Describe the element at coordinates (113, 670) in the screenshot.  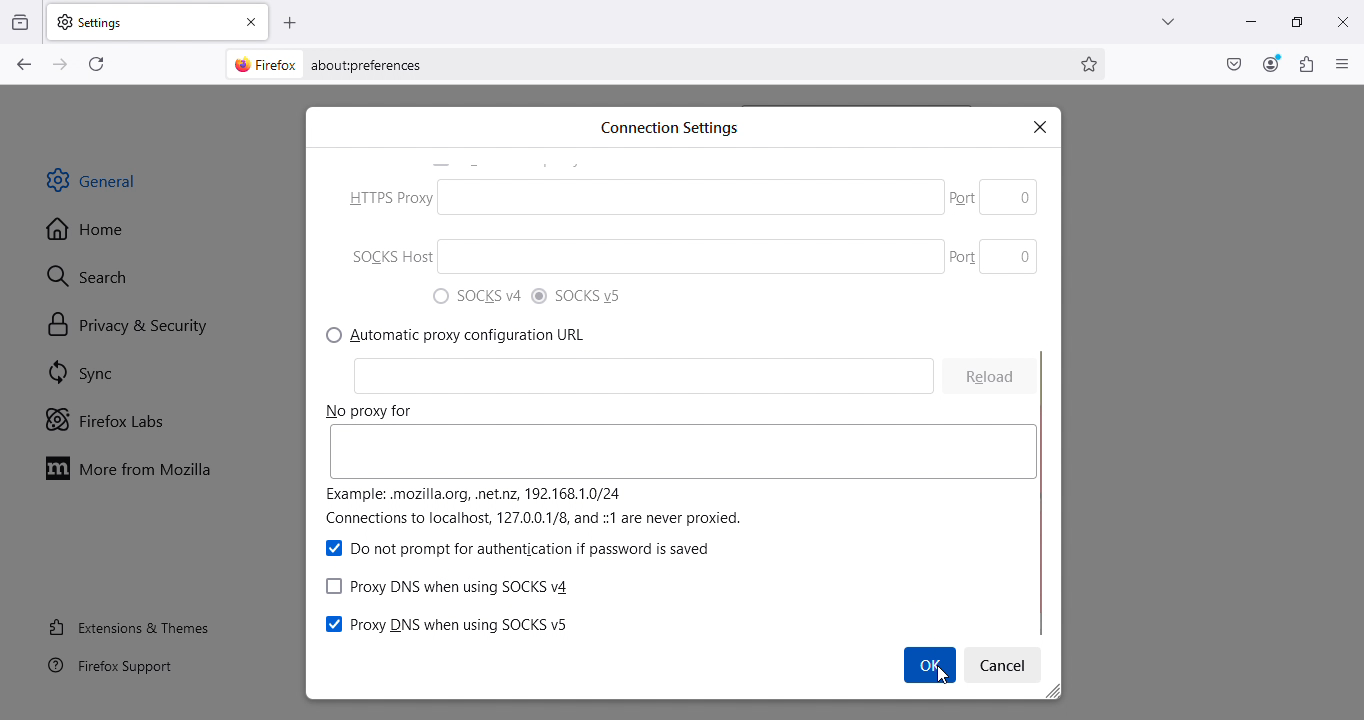
I see `Firefox support` at that location.